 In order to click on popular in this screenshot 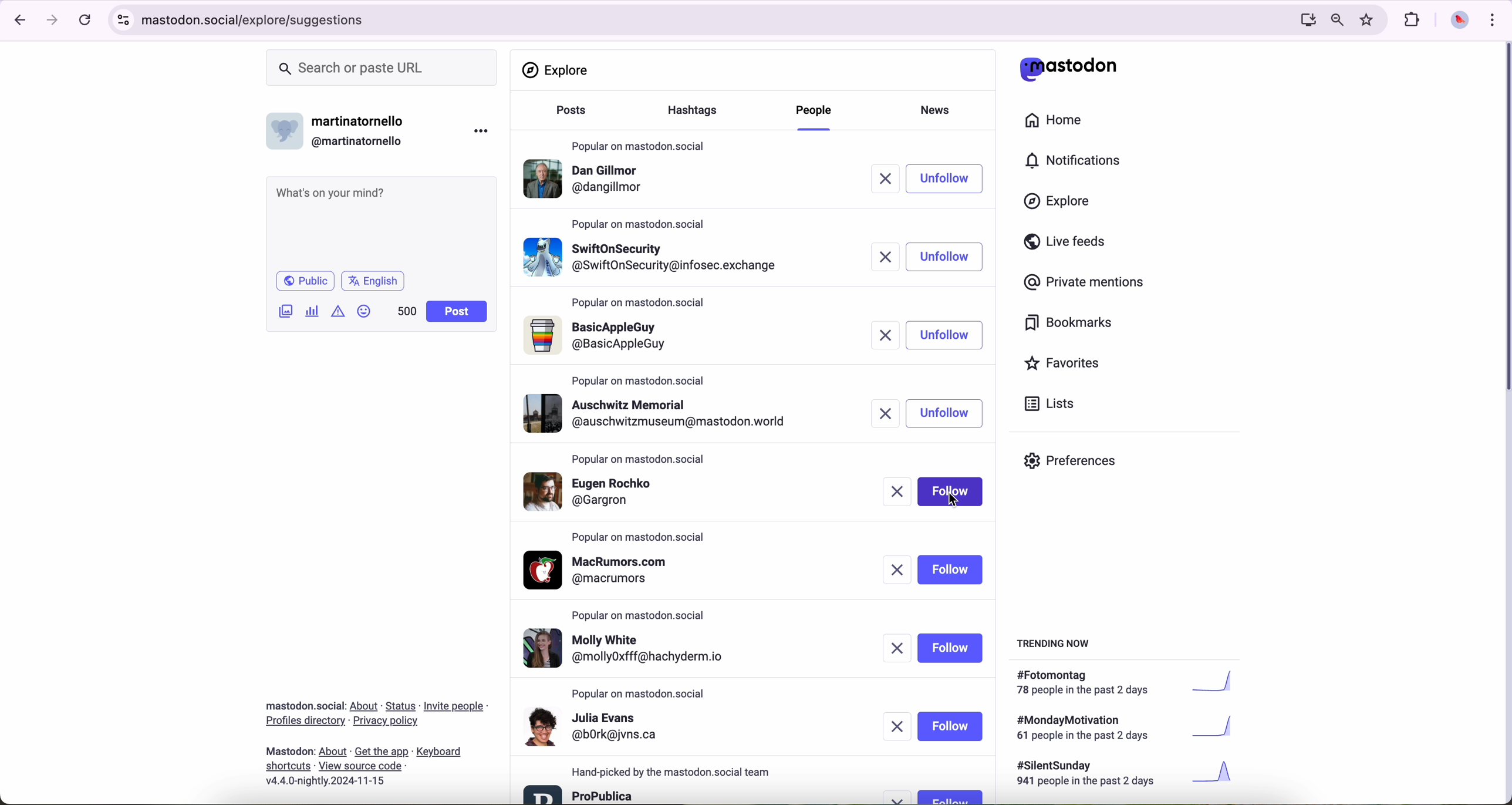, I will do `click(639, 380)`.